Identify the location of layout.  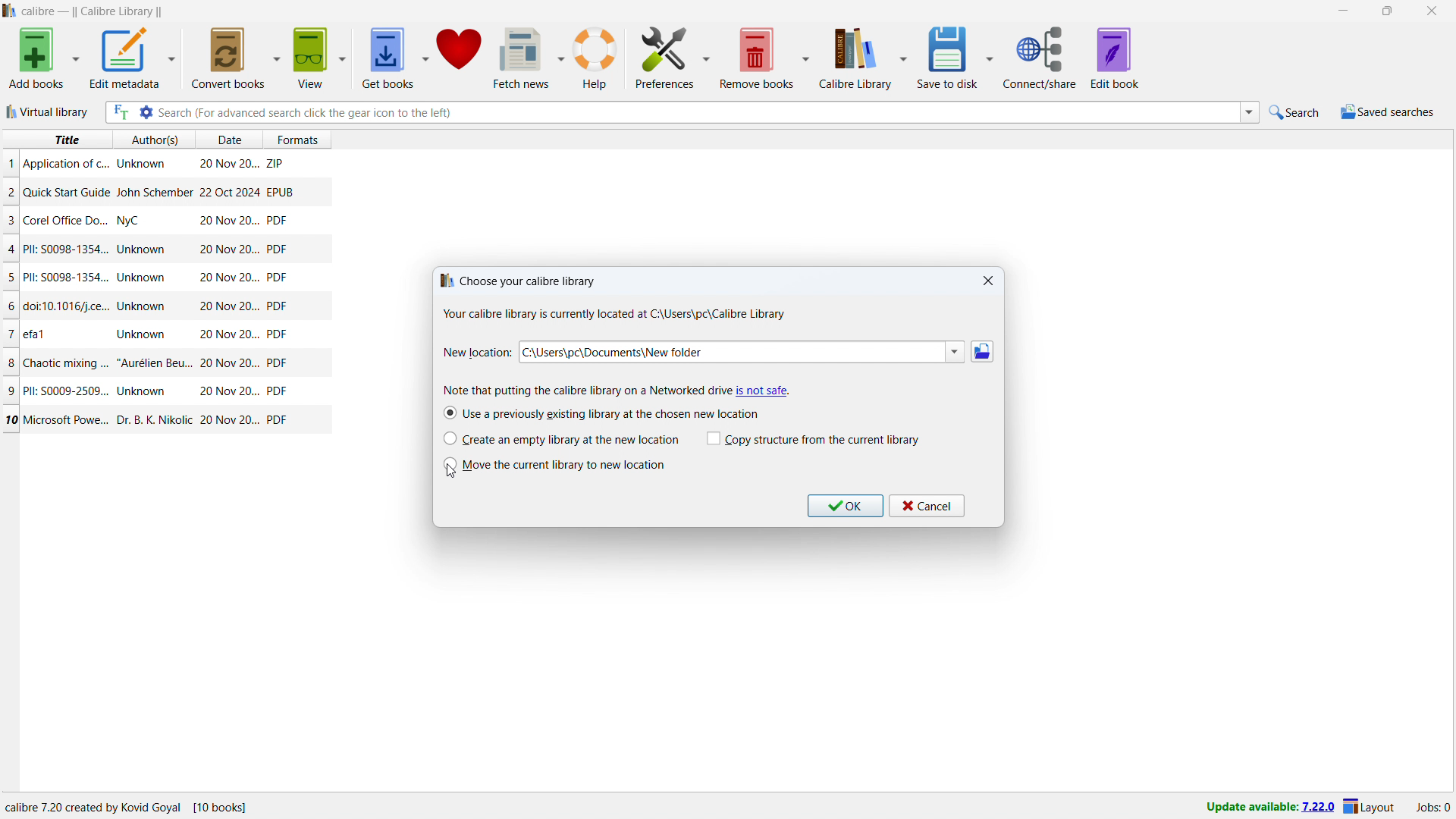
(1370, 808).